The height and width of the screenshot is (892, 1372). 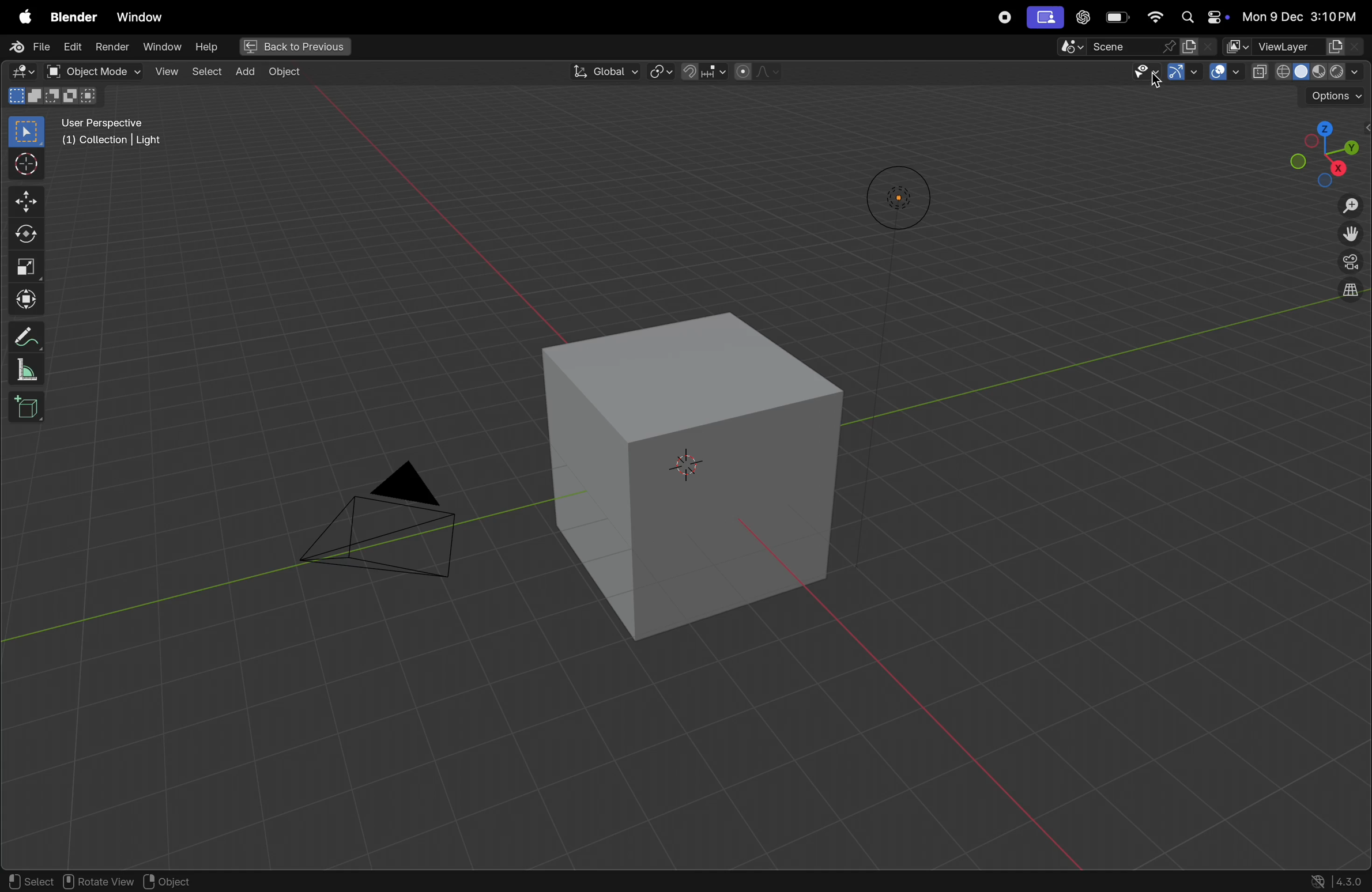 I want to click on scene, so click(x=1128, y=46).